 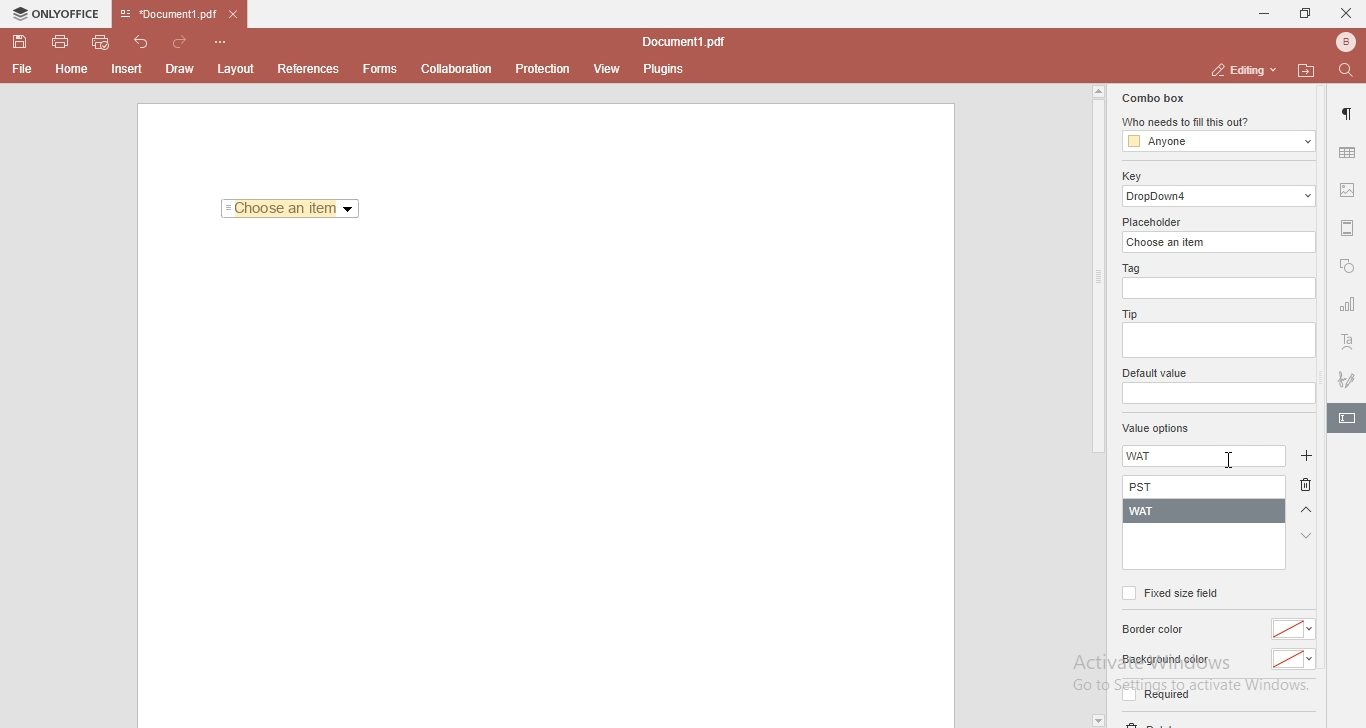 I want to click on tag, so click(x=1129, y=269).